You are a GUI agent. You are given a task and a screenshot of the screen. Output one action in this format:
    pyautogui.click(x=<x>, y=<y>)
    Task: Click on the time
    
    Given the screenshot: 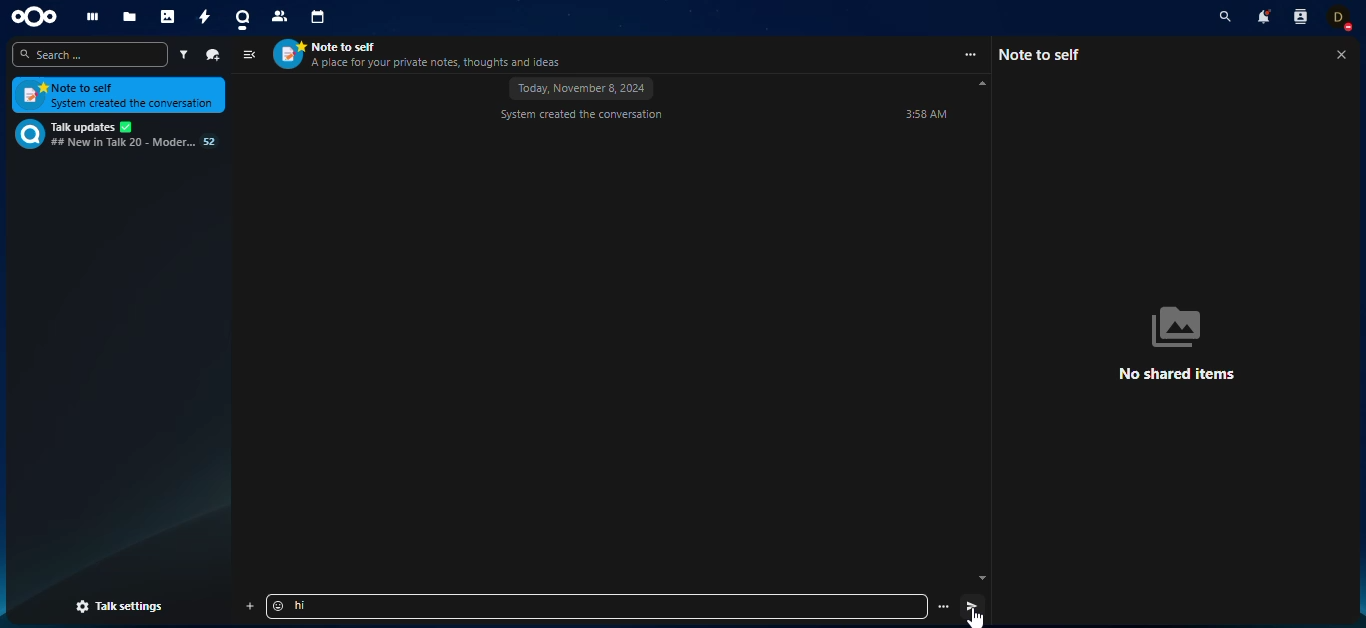 What is the action you would take?
    pyautogui.click(x=924, y=115)
    